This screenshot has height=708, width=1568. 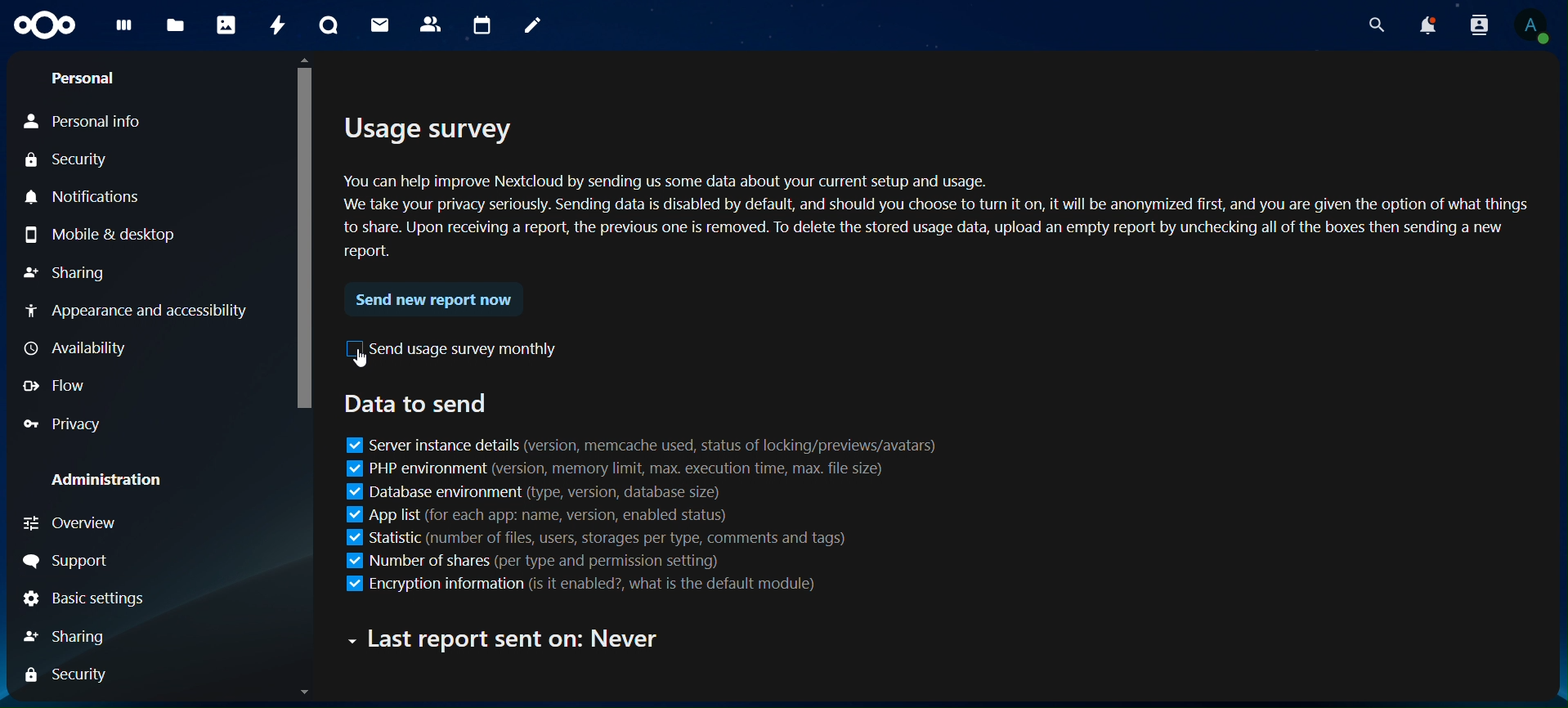 What do you see at coordinates (87, 603) in the screenshot?
I see `Basic settings` at bounding box center [87, 603].